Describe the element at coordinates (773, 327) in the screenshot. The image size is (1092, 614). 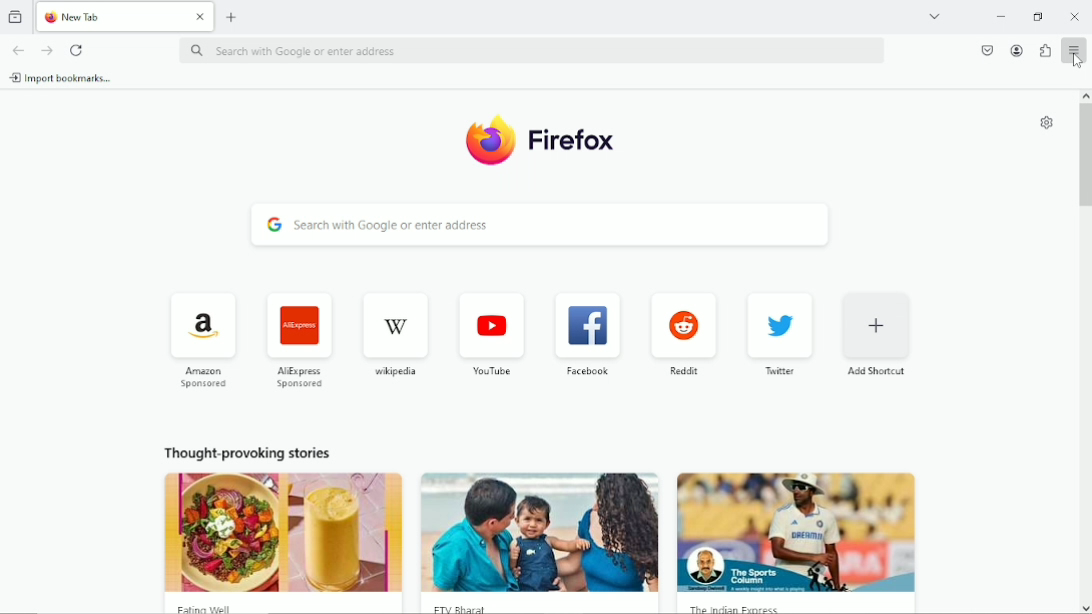
I see `icon` at that location.